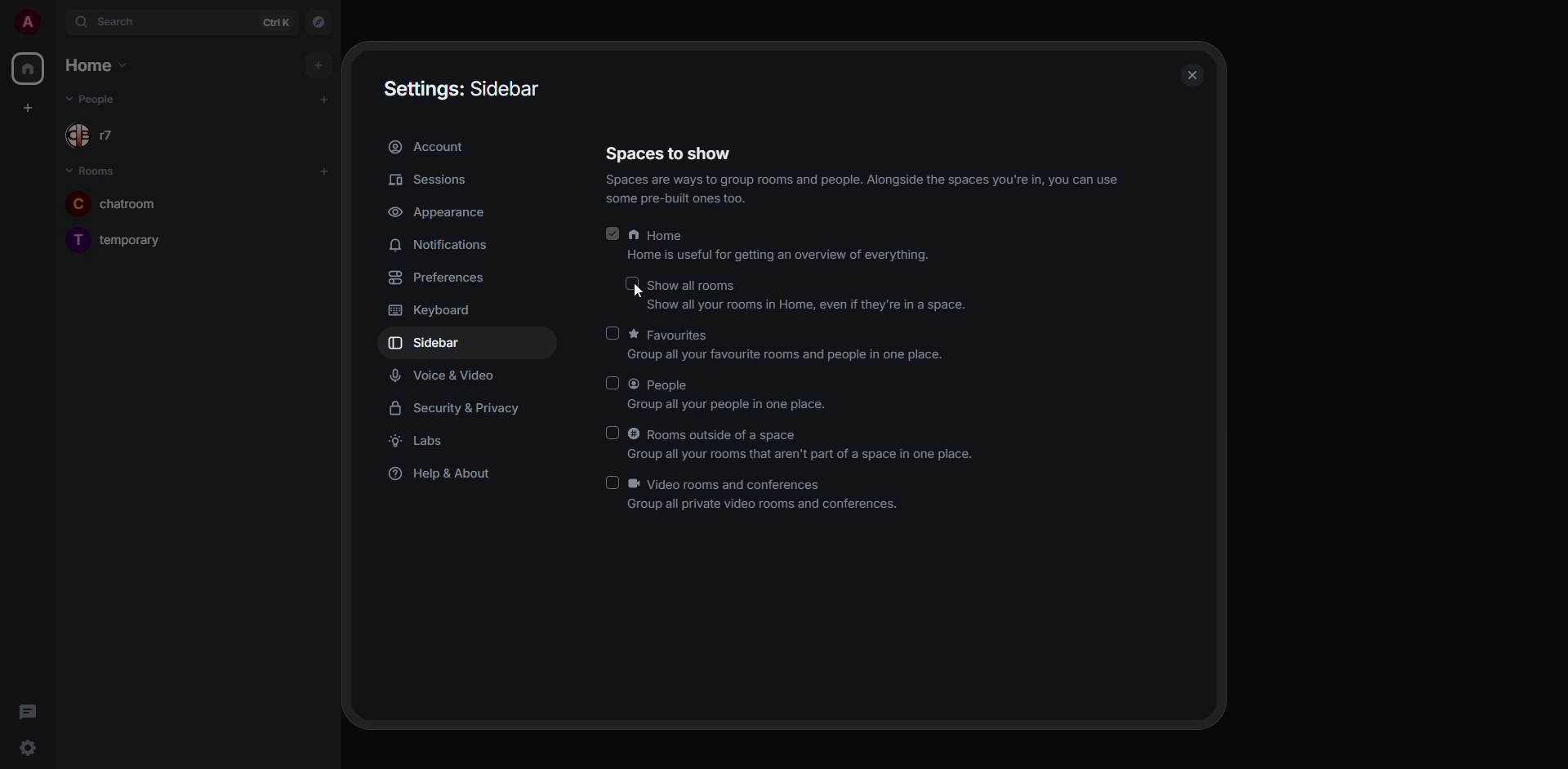 This screenshot has width=1568, height=769. What do you see at coordinates (608, 482) in the screenshot?
I see `click to enable` at bounding box center [608, 482].